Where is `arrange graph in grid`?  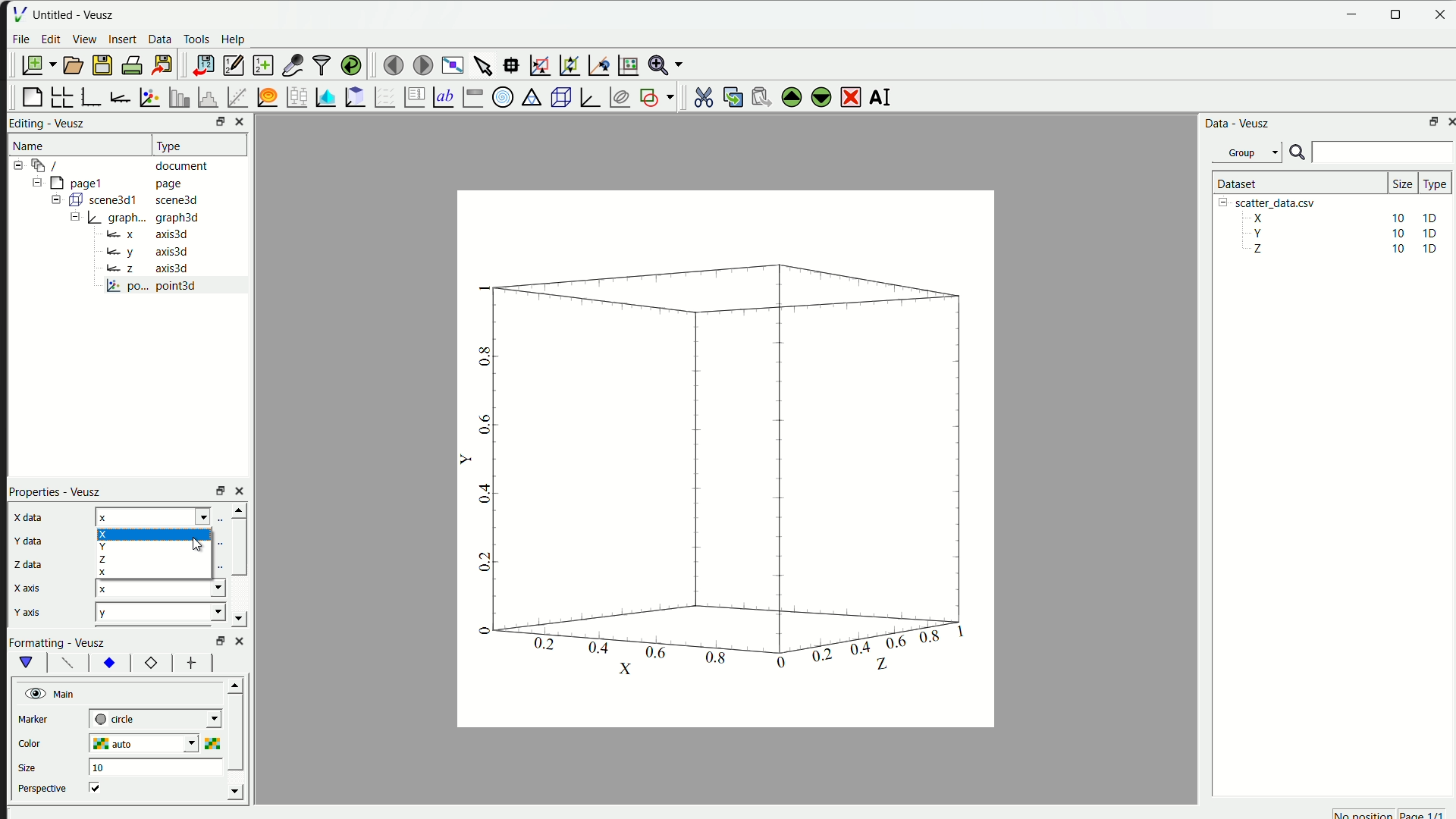 arrange graph in grid is located at coordinates (61, 96).